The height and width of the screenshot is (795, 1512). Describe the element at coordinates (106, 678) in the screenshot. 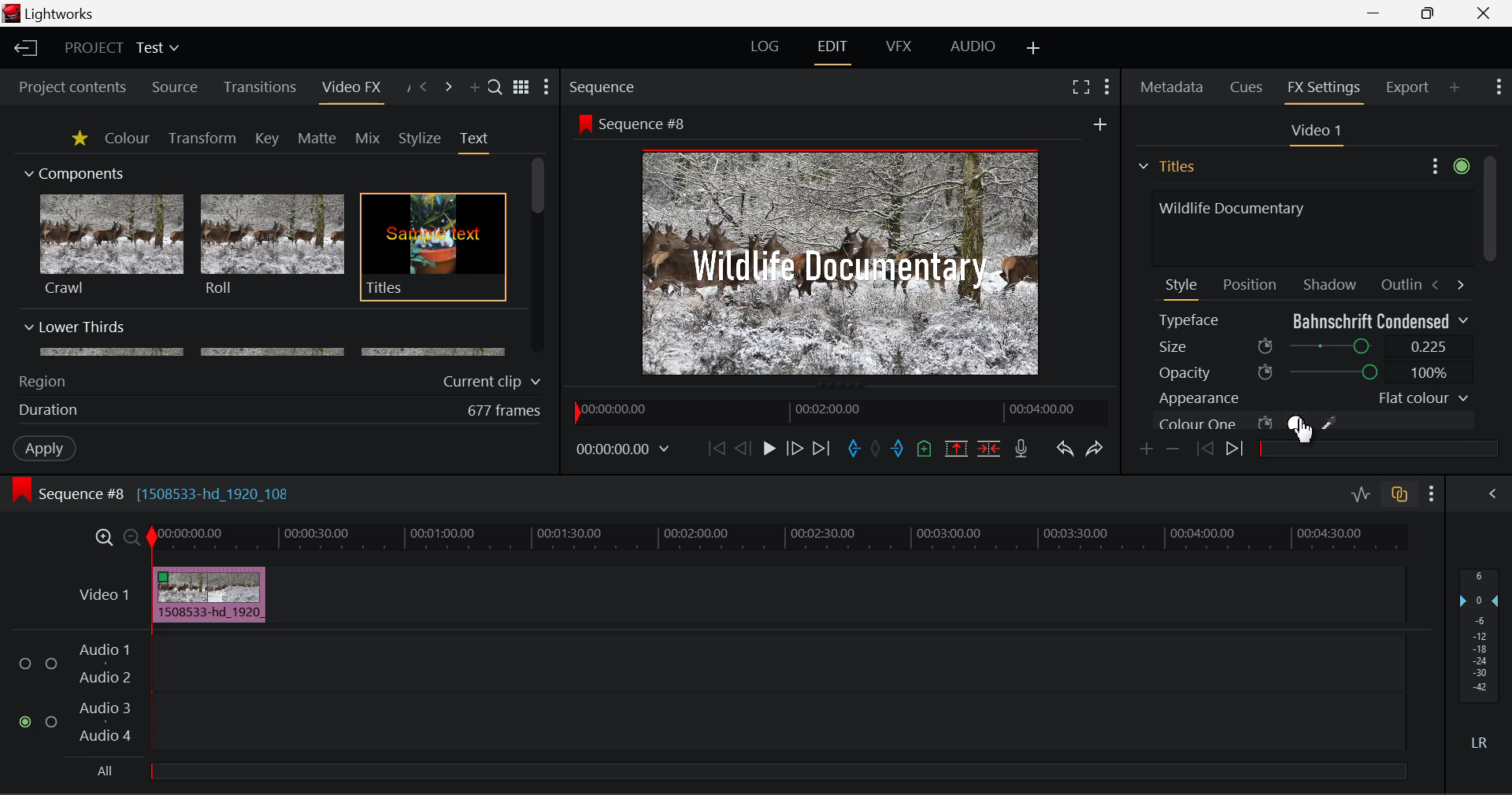

I see `Audio 2` at that location.